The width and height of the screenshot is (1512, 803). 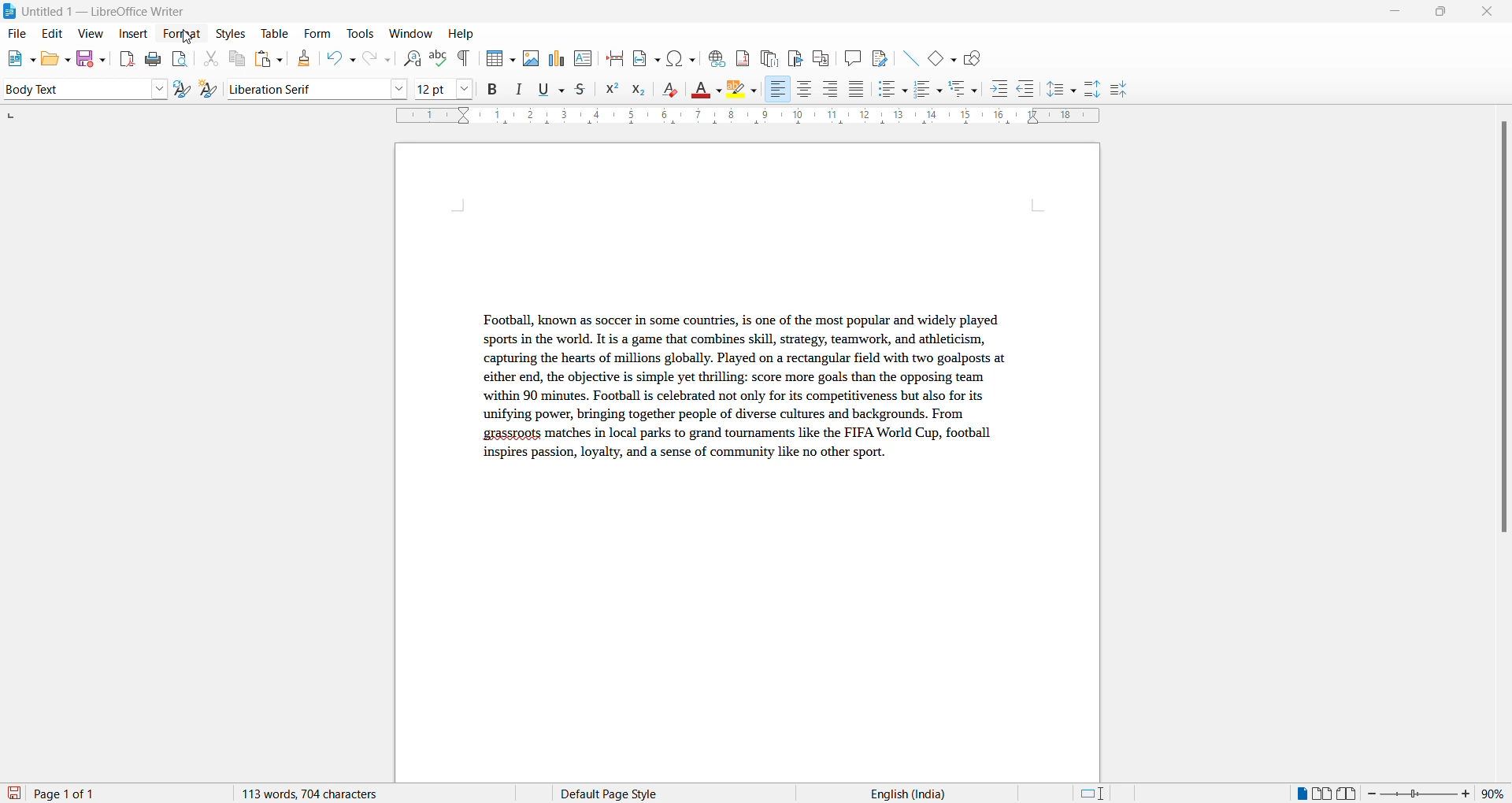 I want to click on insert hyperlink, so click(x=714, y=56).